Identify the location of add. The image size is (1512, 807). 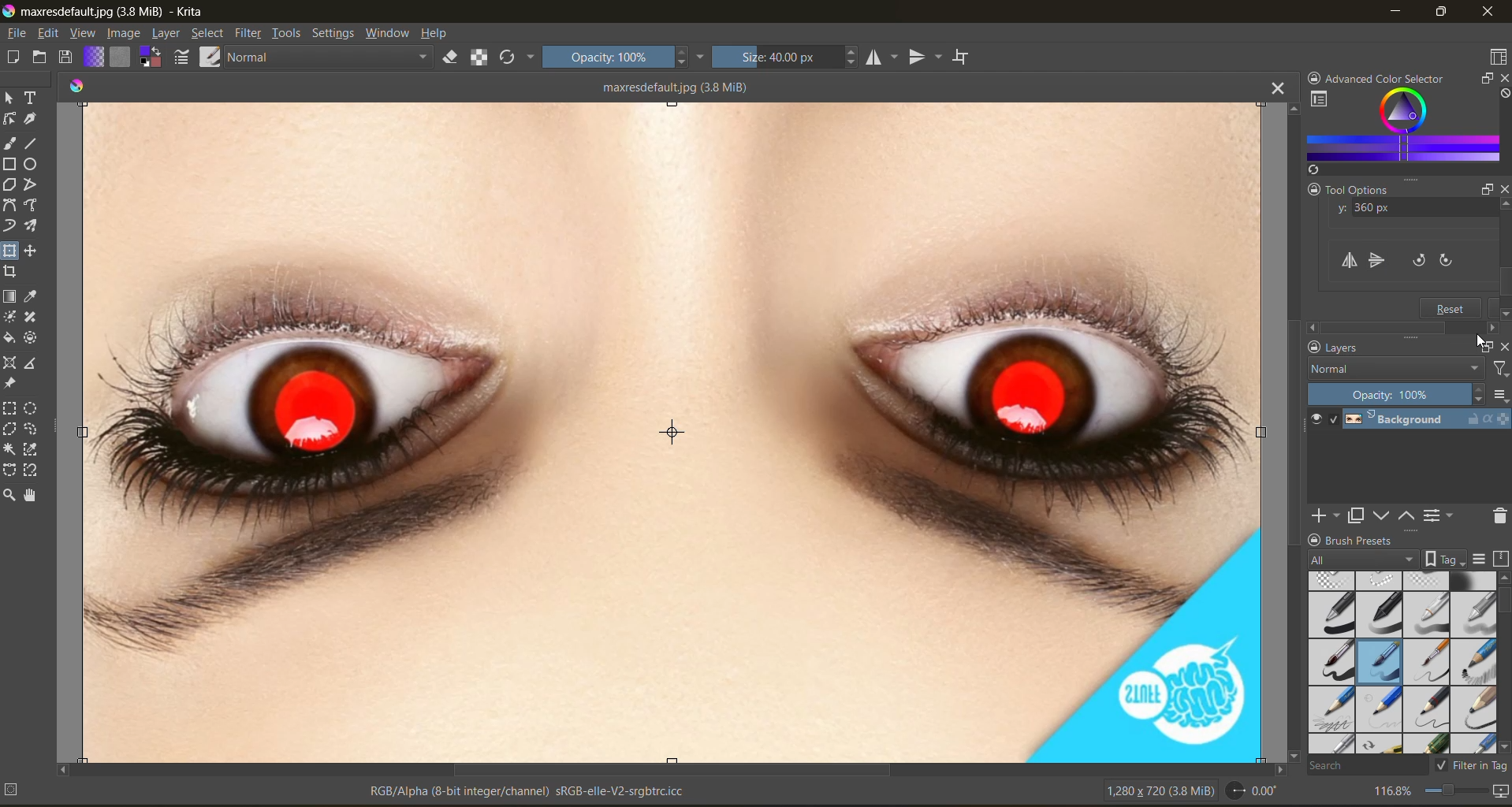
(1324, 516).